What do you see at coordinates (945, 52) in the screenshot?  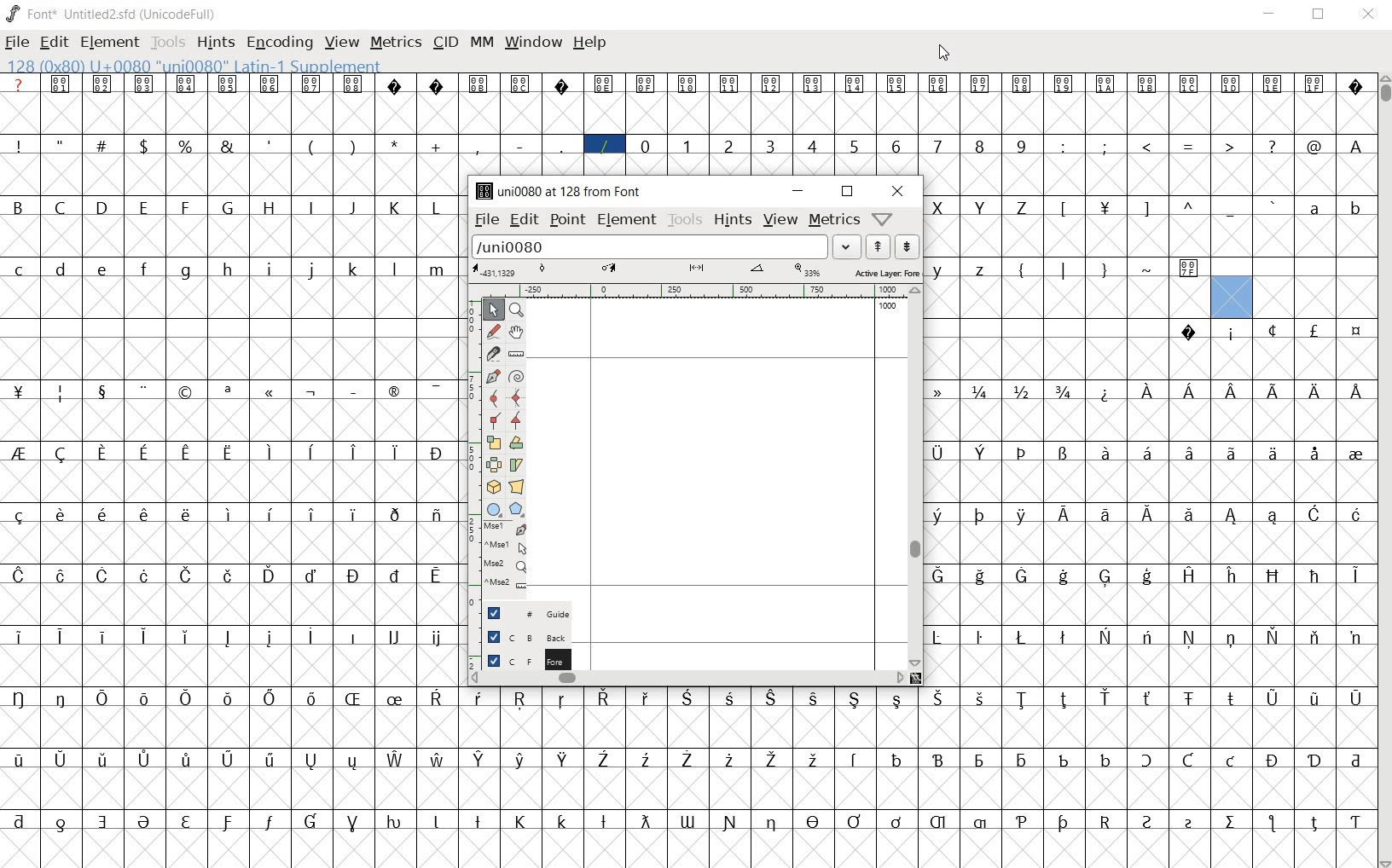 I see `CURSOR` at bounding box center [945, 52].